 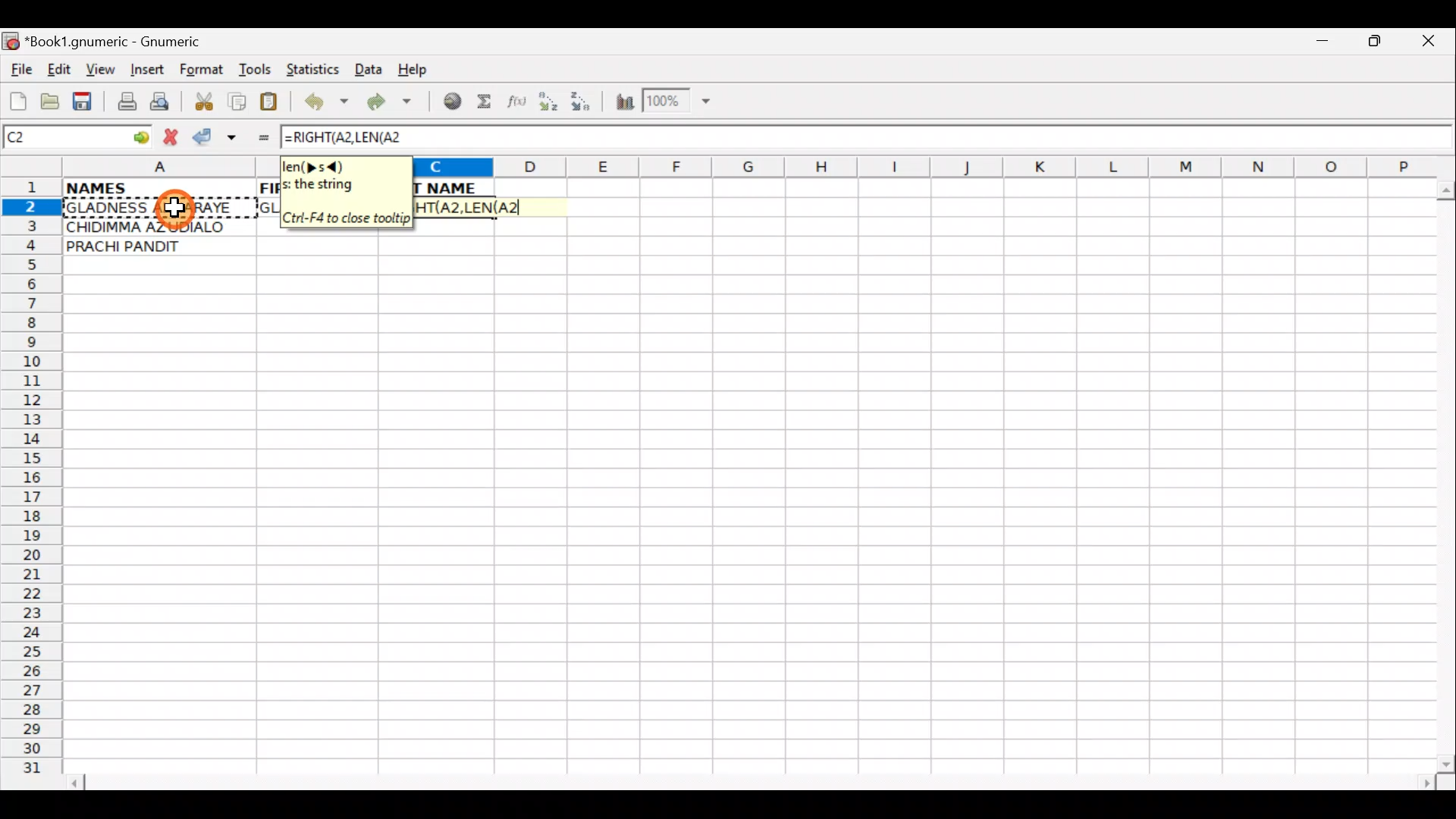 I want to click on View, so click(x=96, y=69).